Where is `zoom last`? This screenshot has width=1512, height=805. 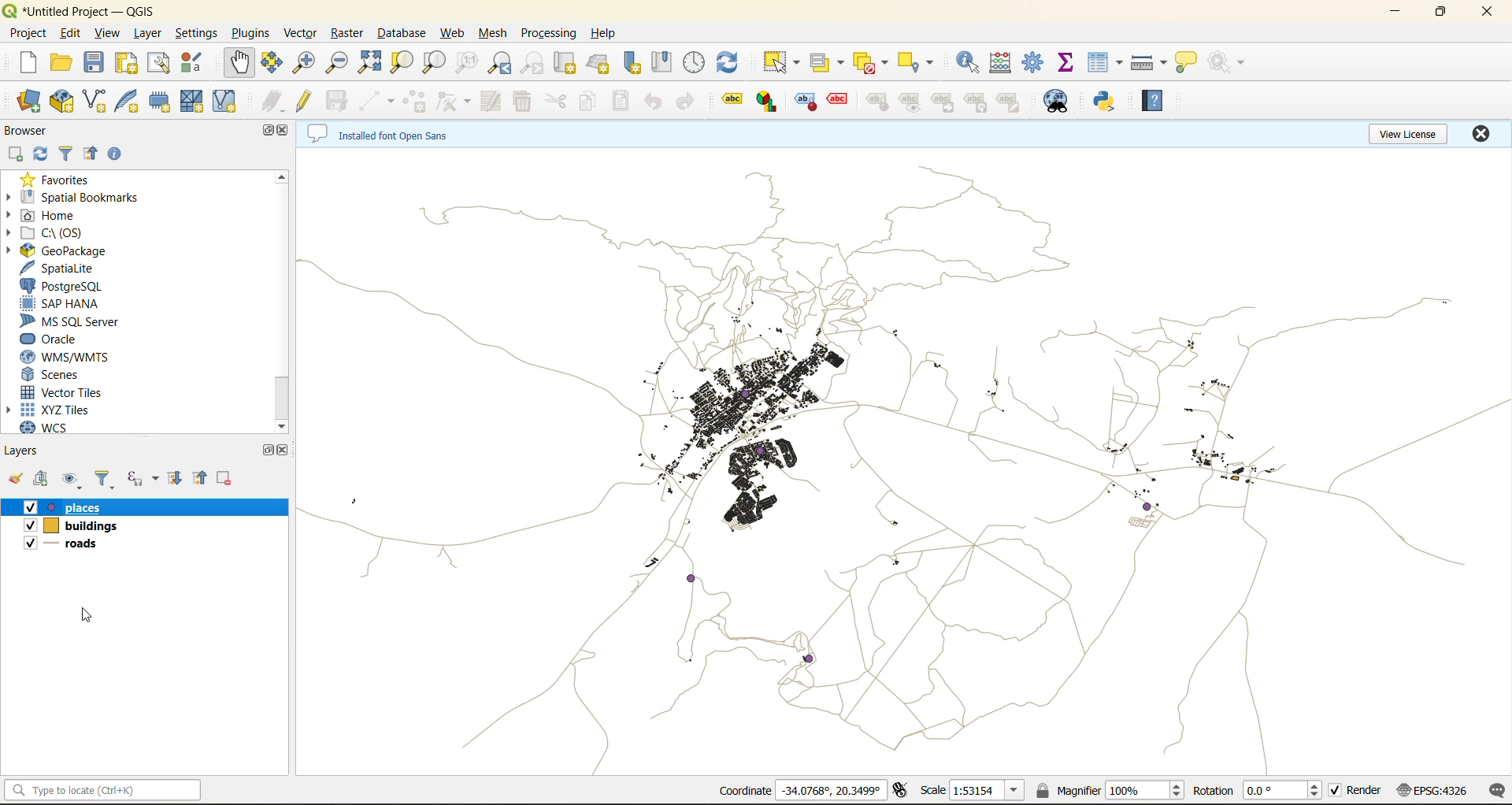 zoom last is located at coordinates (499, 63).